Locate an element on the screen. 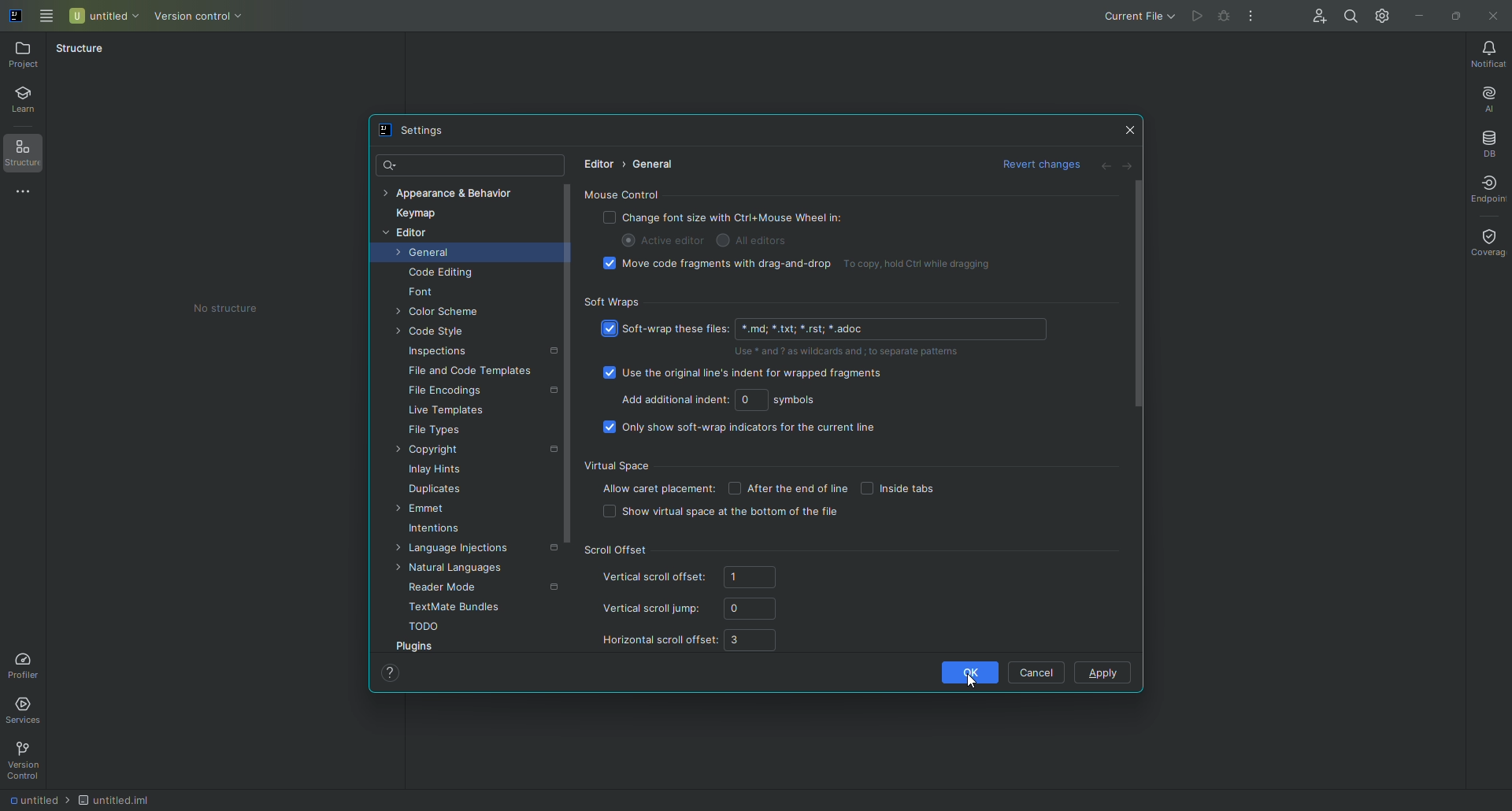  Use * and ? is located at coordinates (851, 352).